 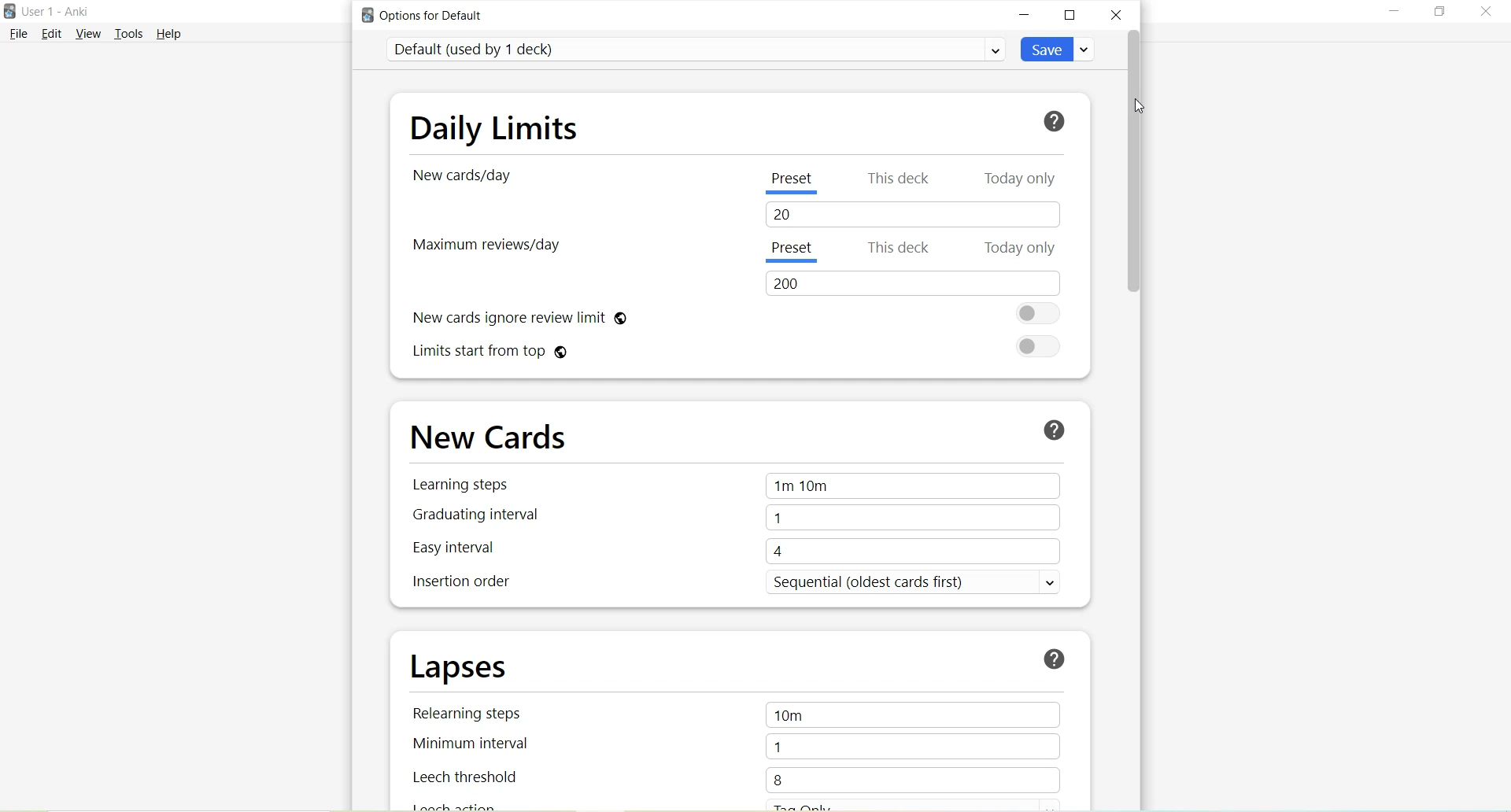 I want to click on Preset, so click(x=792, y=183).